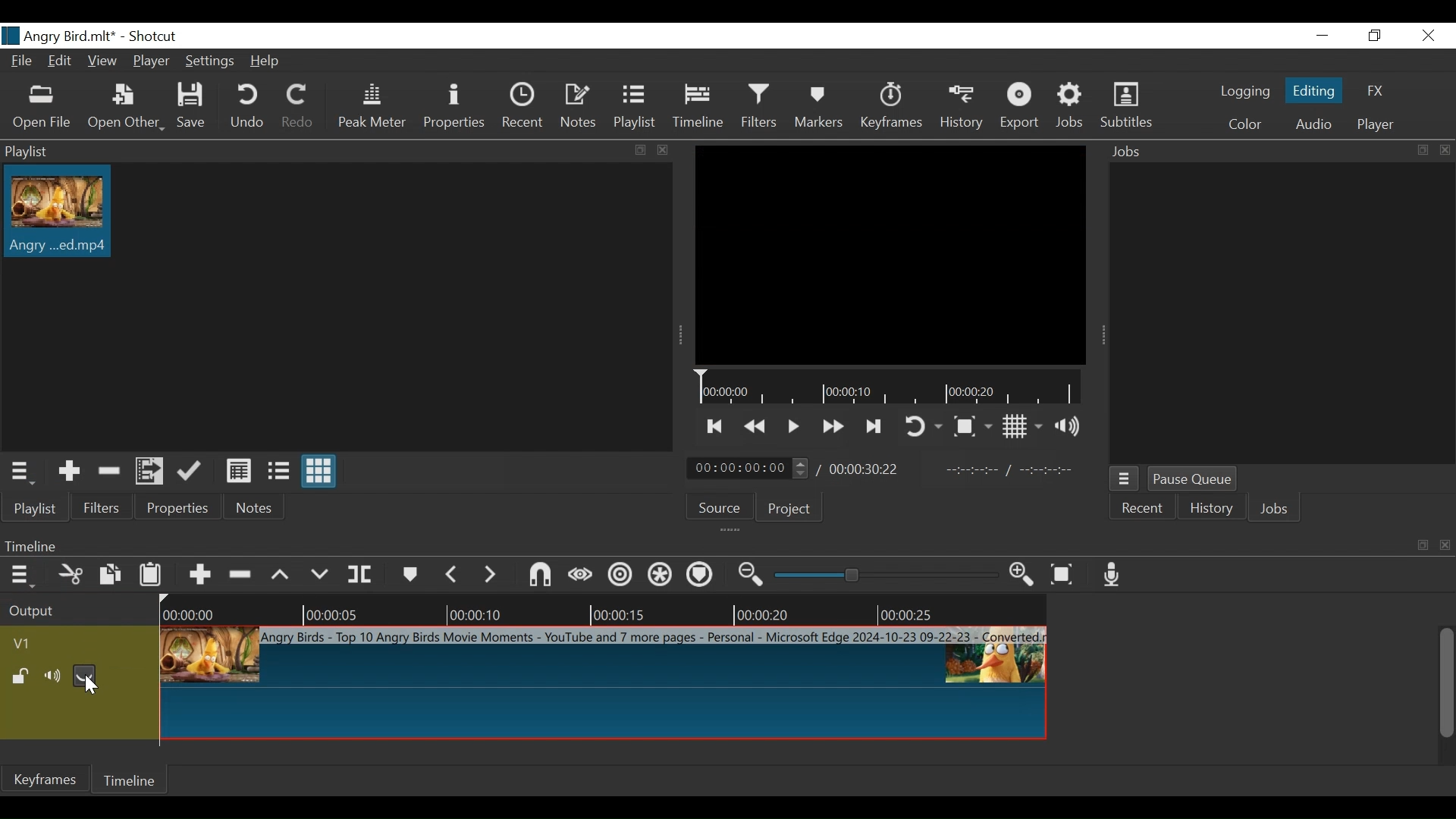 Image resolution: width=1456 pixels, height=819 pixels. Describe the element at coordinates (42, 109) in the screenshot. I see `Open File` at that location.